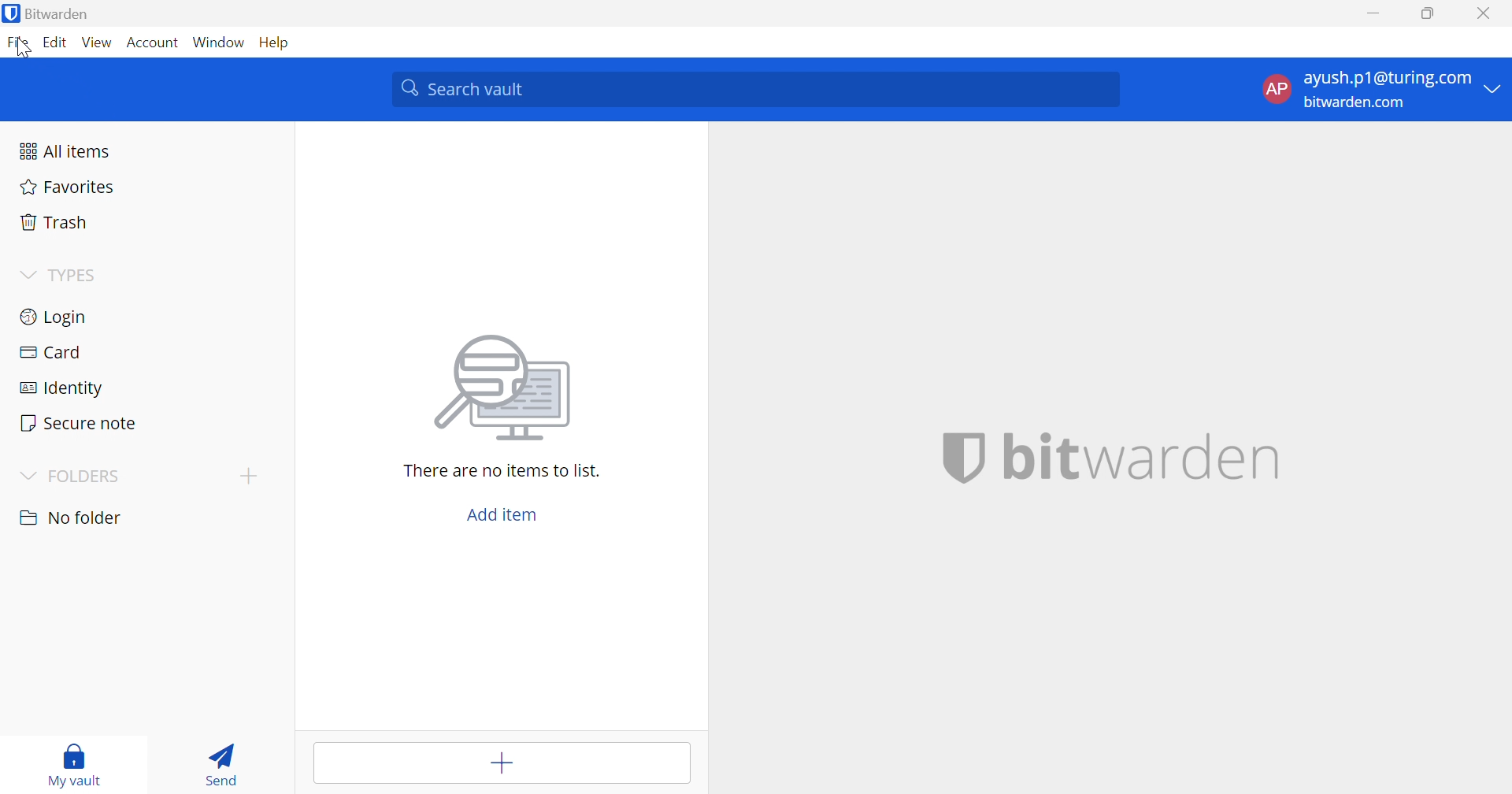 Image resolution: width=1512 pixels, height=794 pixels. I want to click on Send, so click(220, 762).